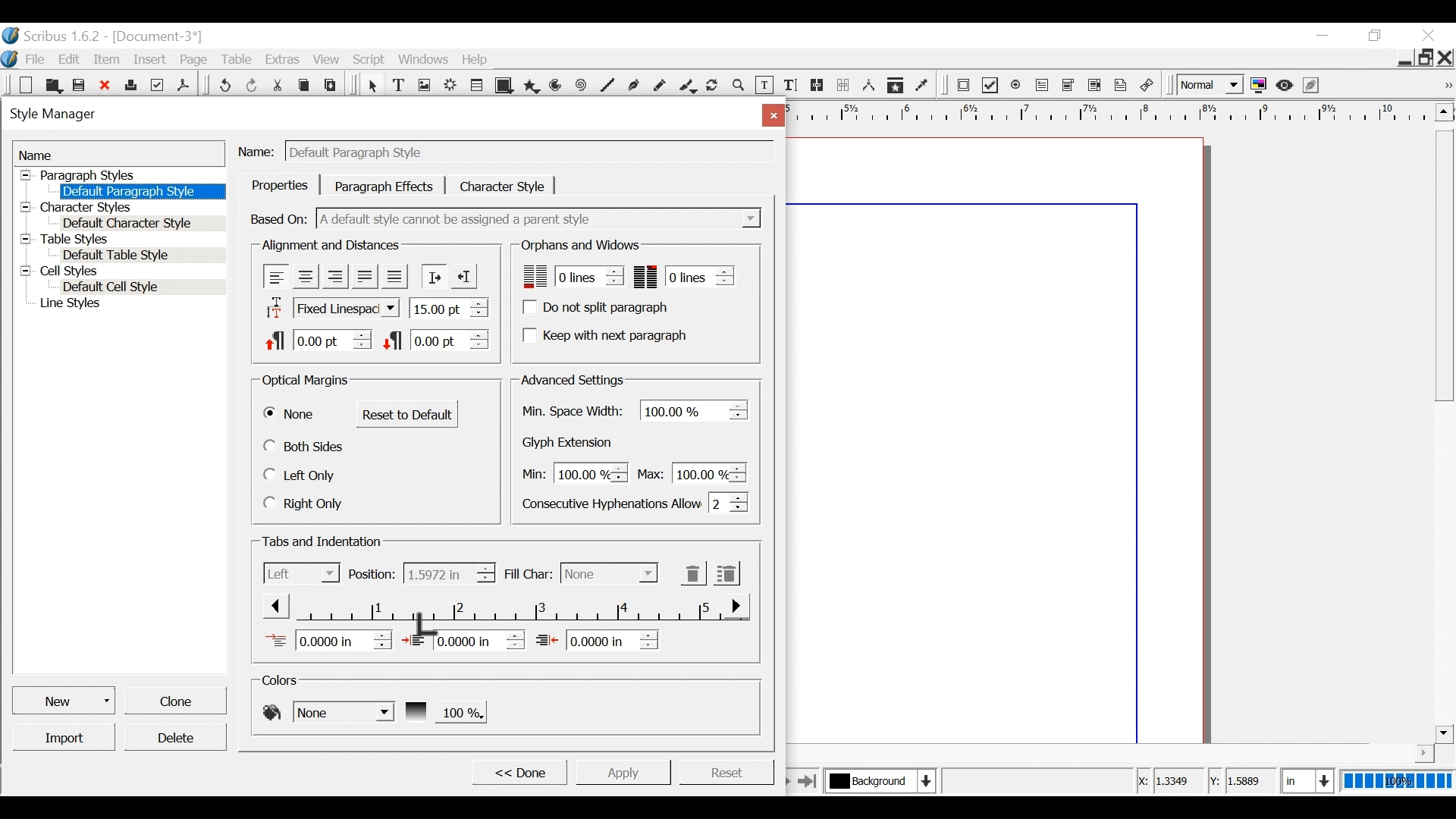 Image resolution: width=1456 pixels, height=819 pixels. What do you see at coordinates (107, 60) in the screenshot?
I see `Item` at bounding box center [107, 60].